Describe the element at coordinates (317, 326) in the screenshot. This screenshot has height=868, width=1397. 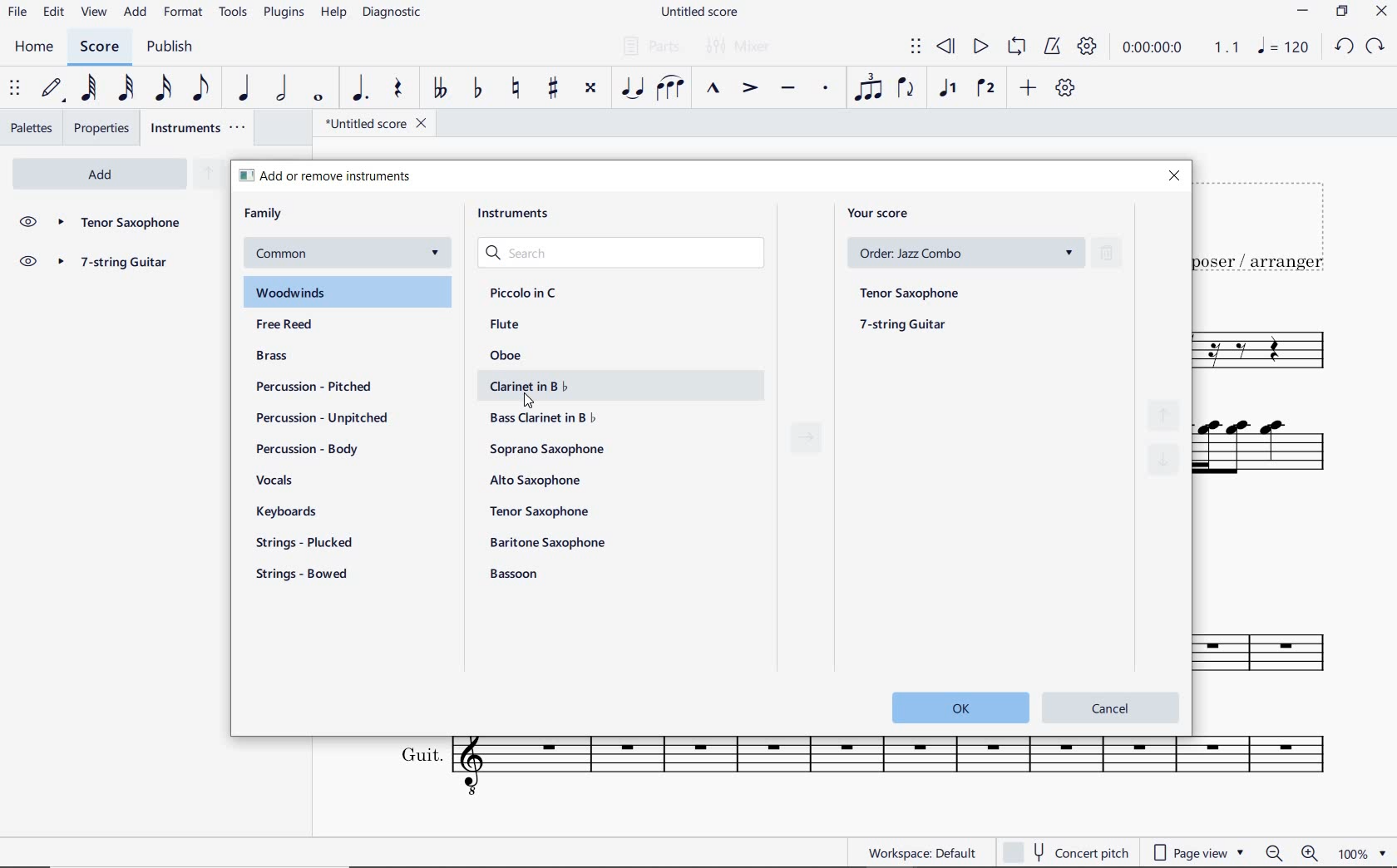
I see `free reed` at that location.